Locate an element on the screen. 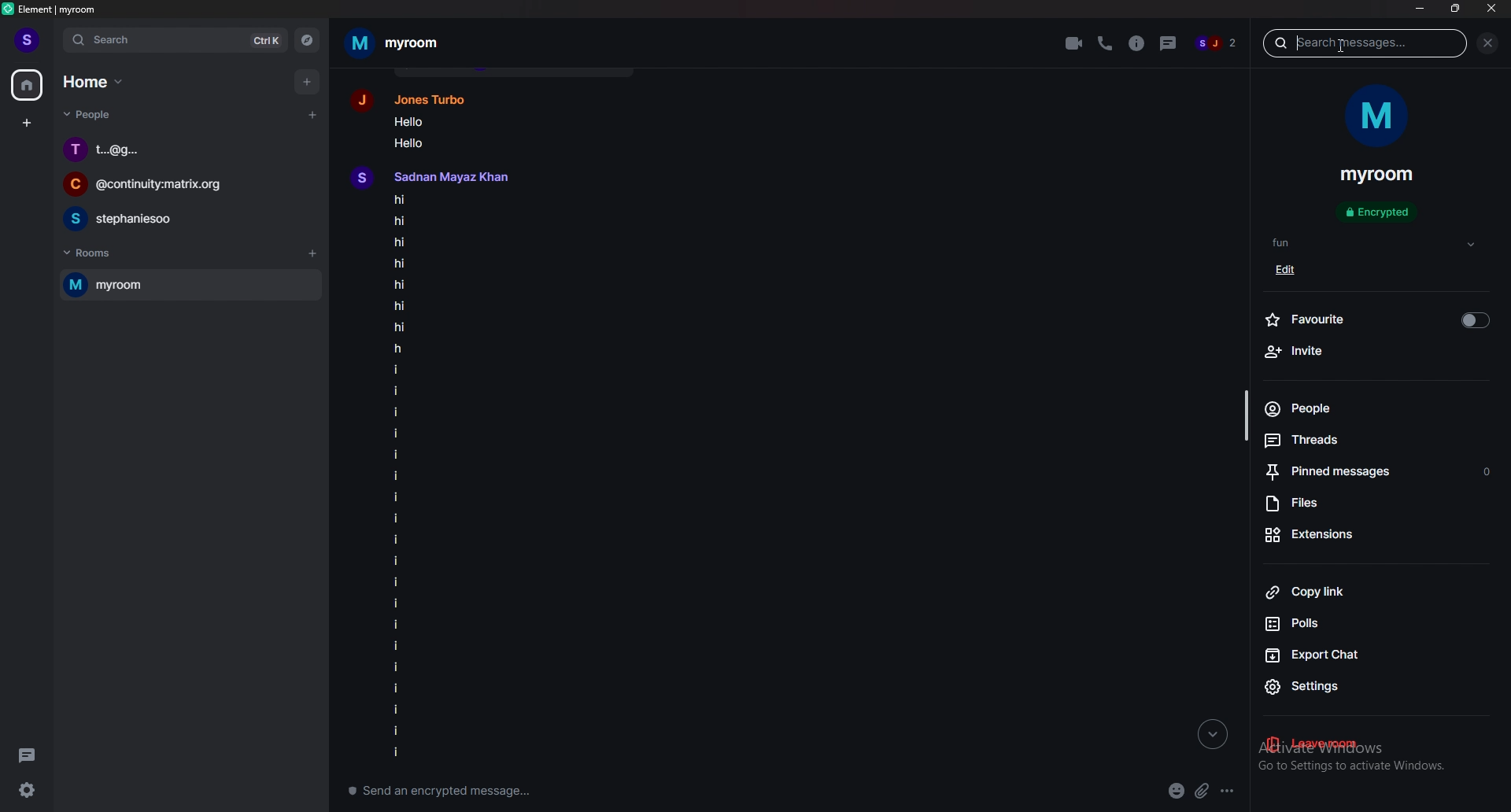 The width and height of the screenshot is (1511, 812). home is located at coordinates (97, 82).